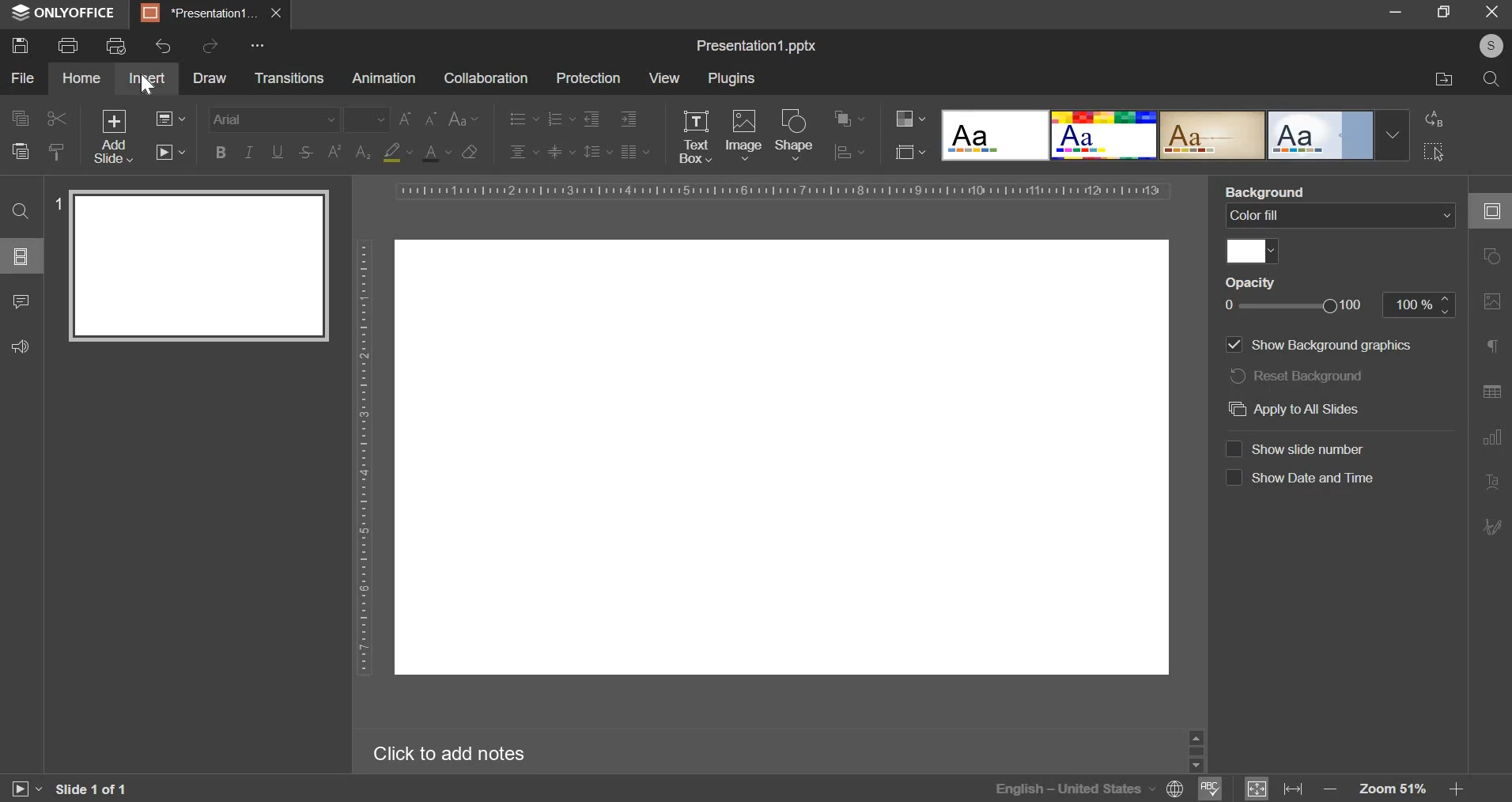 This screenshot has width=1512, height=802. Describe the element at coordinates (1491, 305) in the screenshot. I see `image settings` at that location.